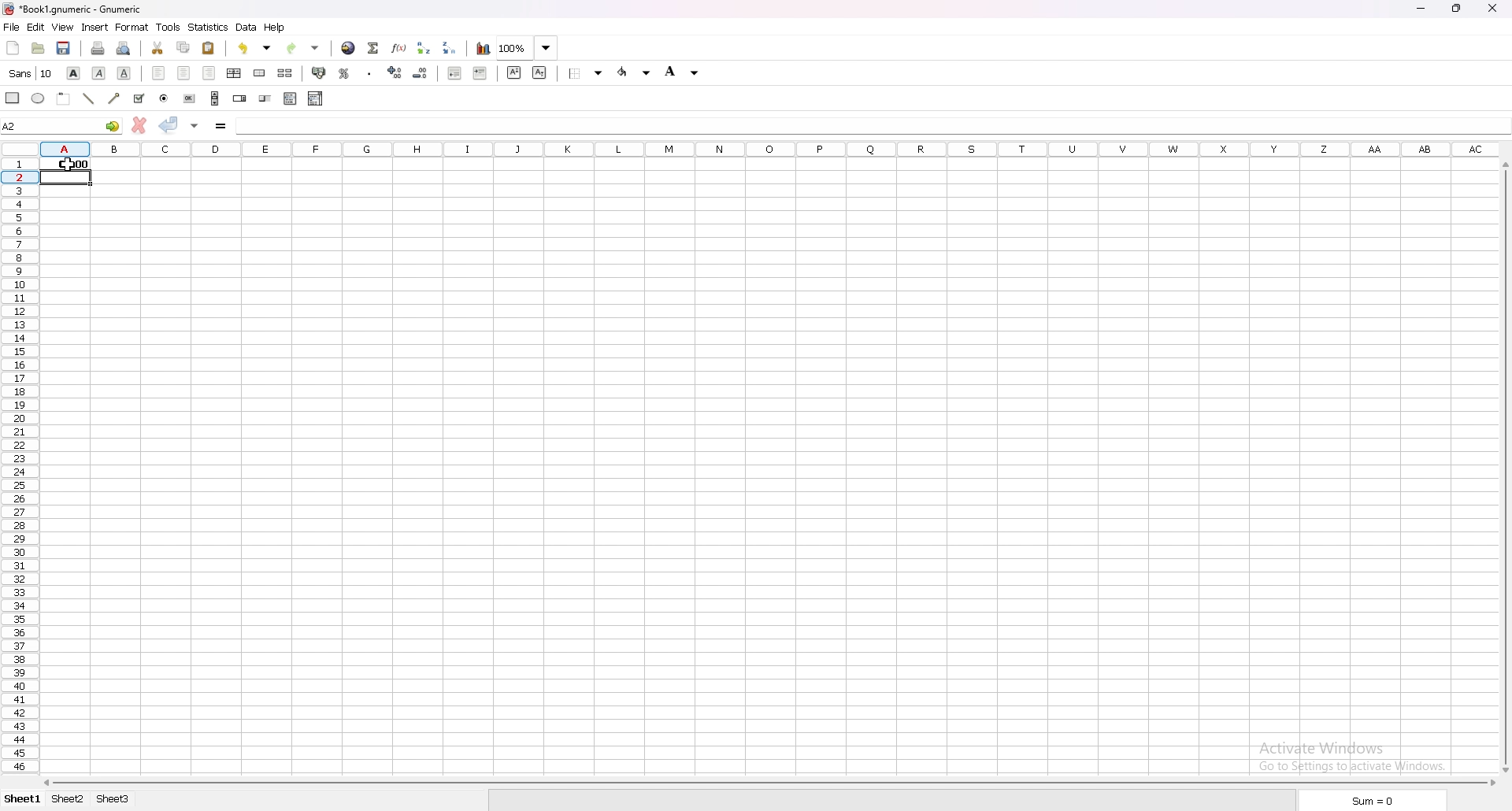  I want to click on save, so click(65, 48).